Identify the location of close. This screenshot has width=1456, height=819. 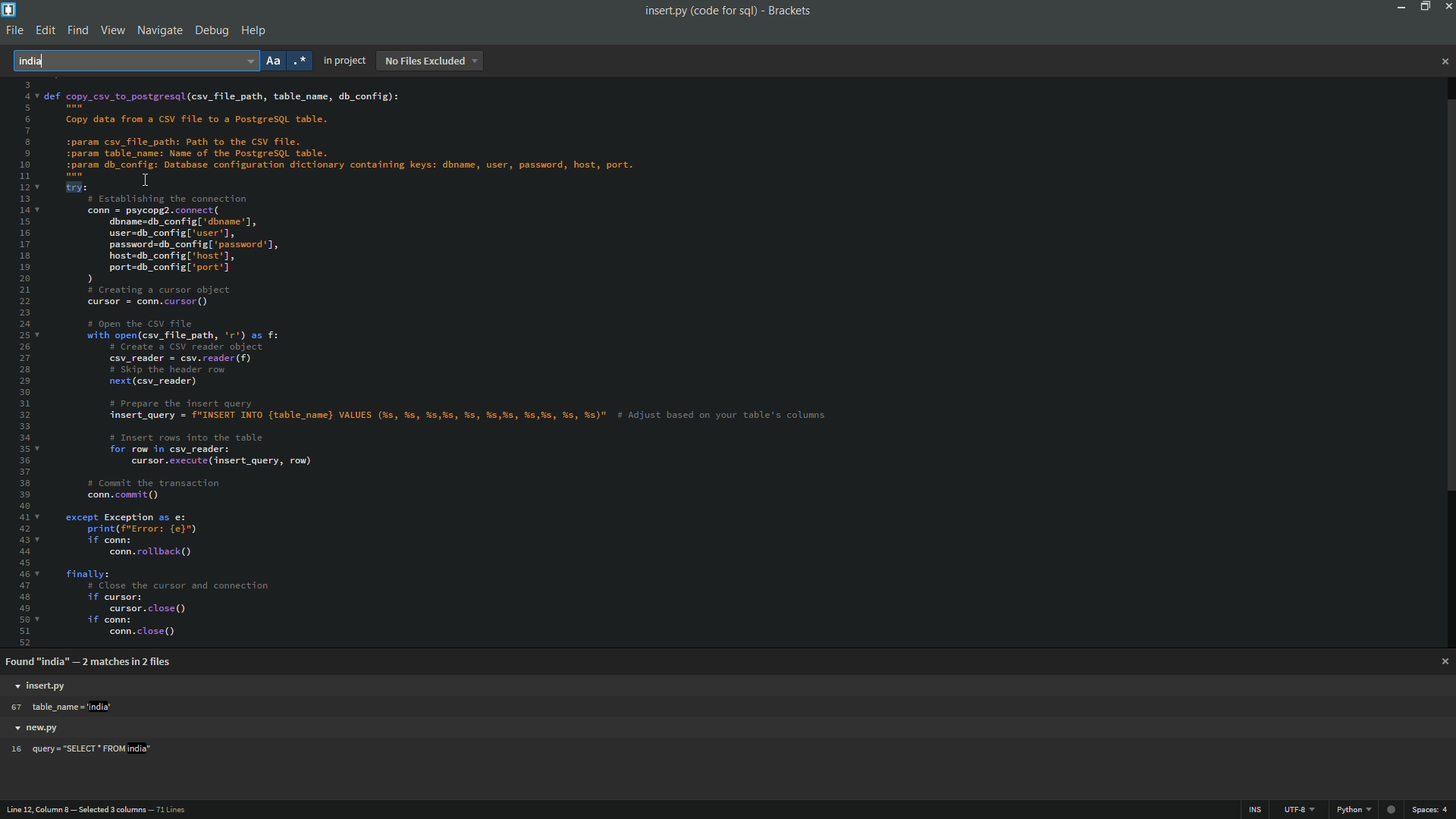
(1444, 62).